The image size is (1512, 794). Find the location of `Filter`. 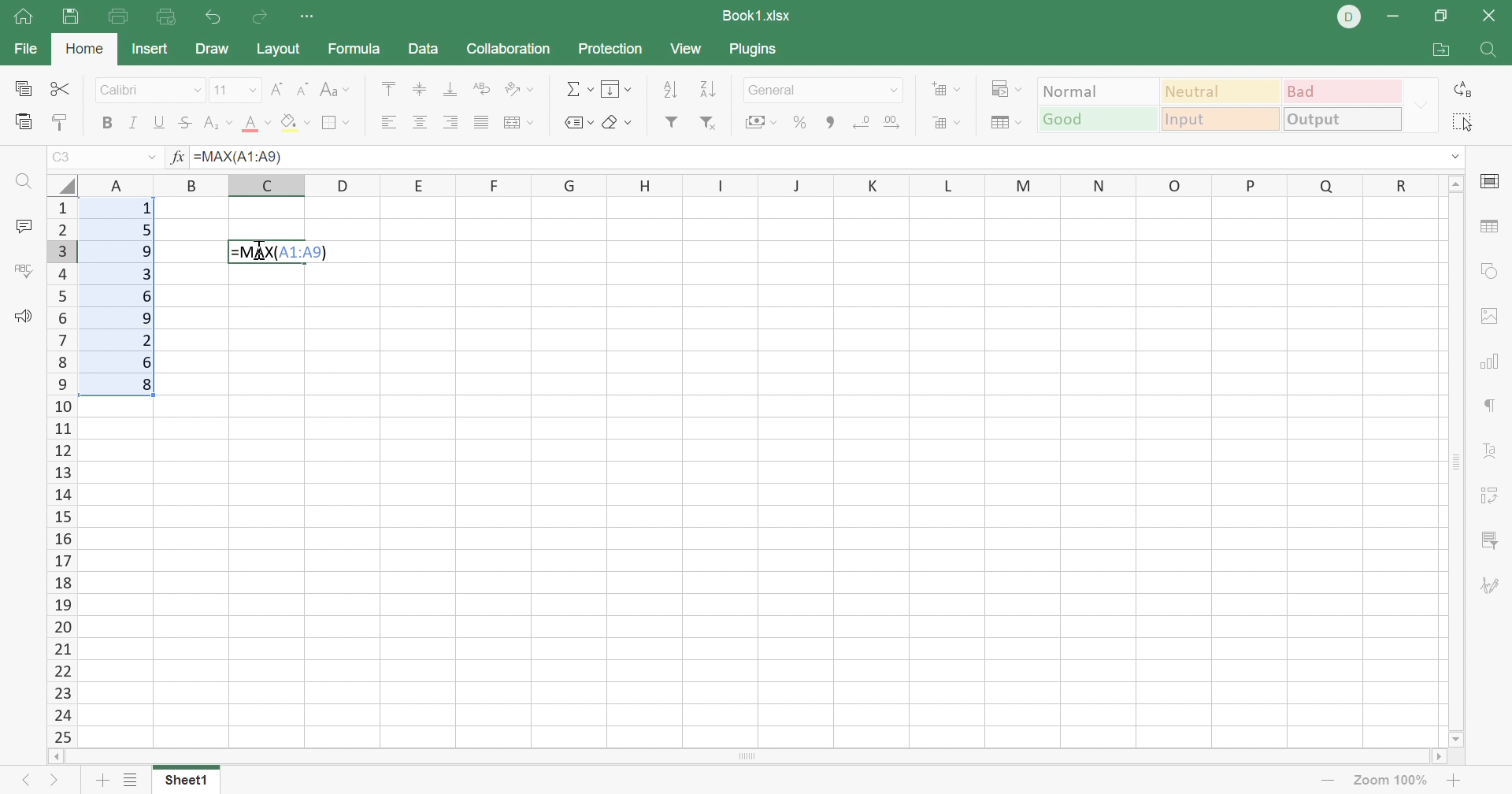

Filter is located at coordinates (669, 125).